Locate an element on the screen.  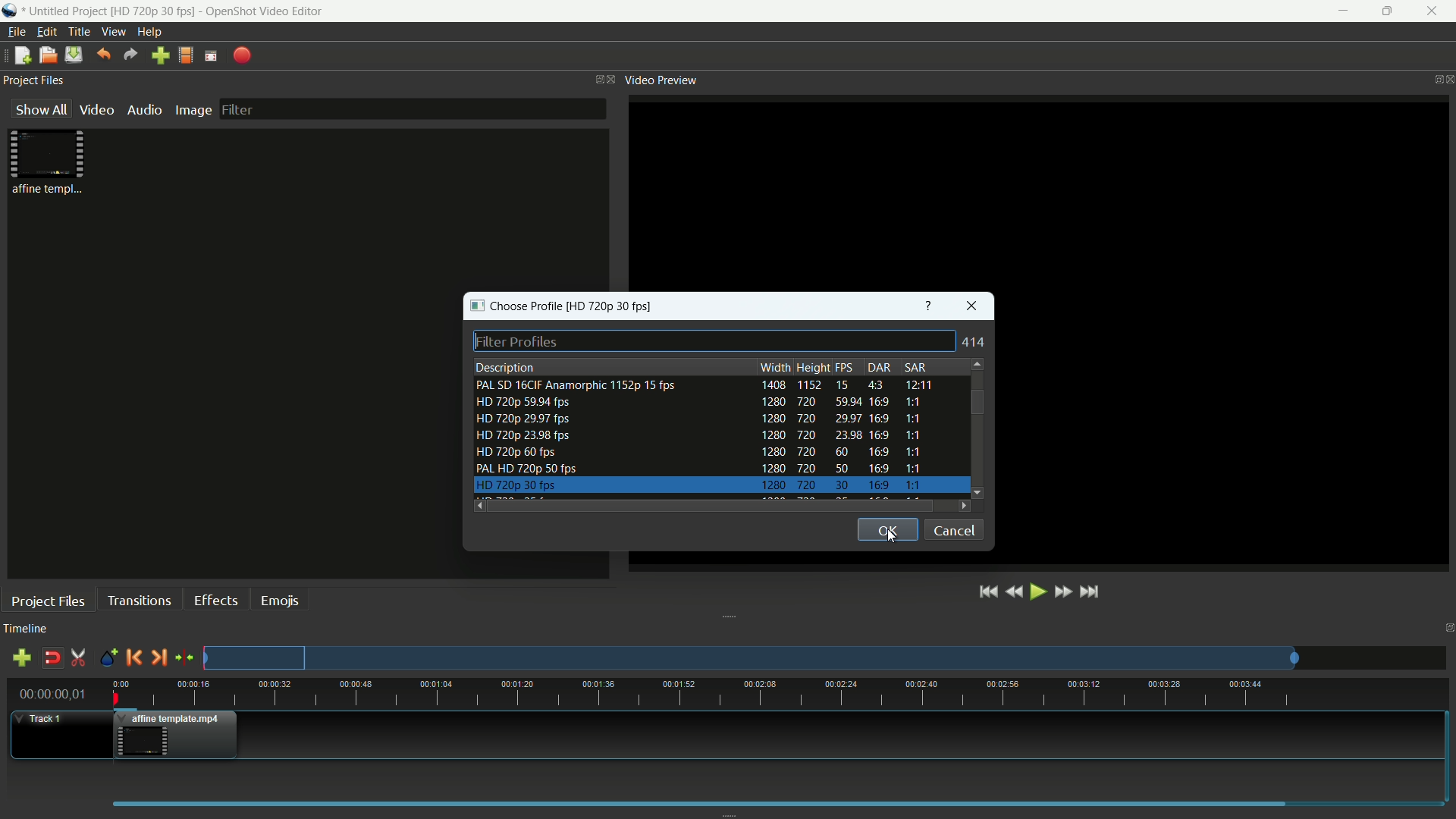
video is located at coordinates (97, 109).